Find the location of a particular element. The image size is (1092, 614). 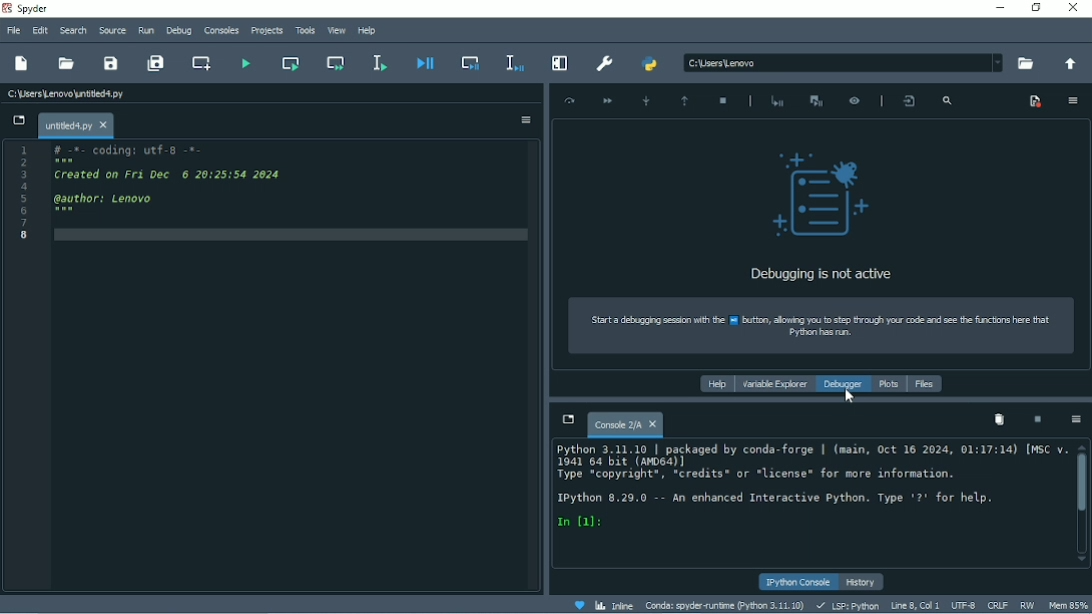

Start debugging after last error is located at coordinates (777, 101).